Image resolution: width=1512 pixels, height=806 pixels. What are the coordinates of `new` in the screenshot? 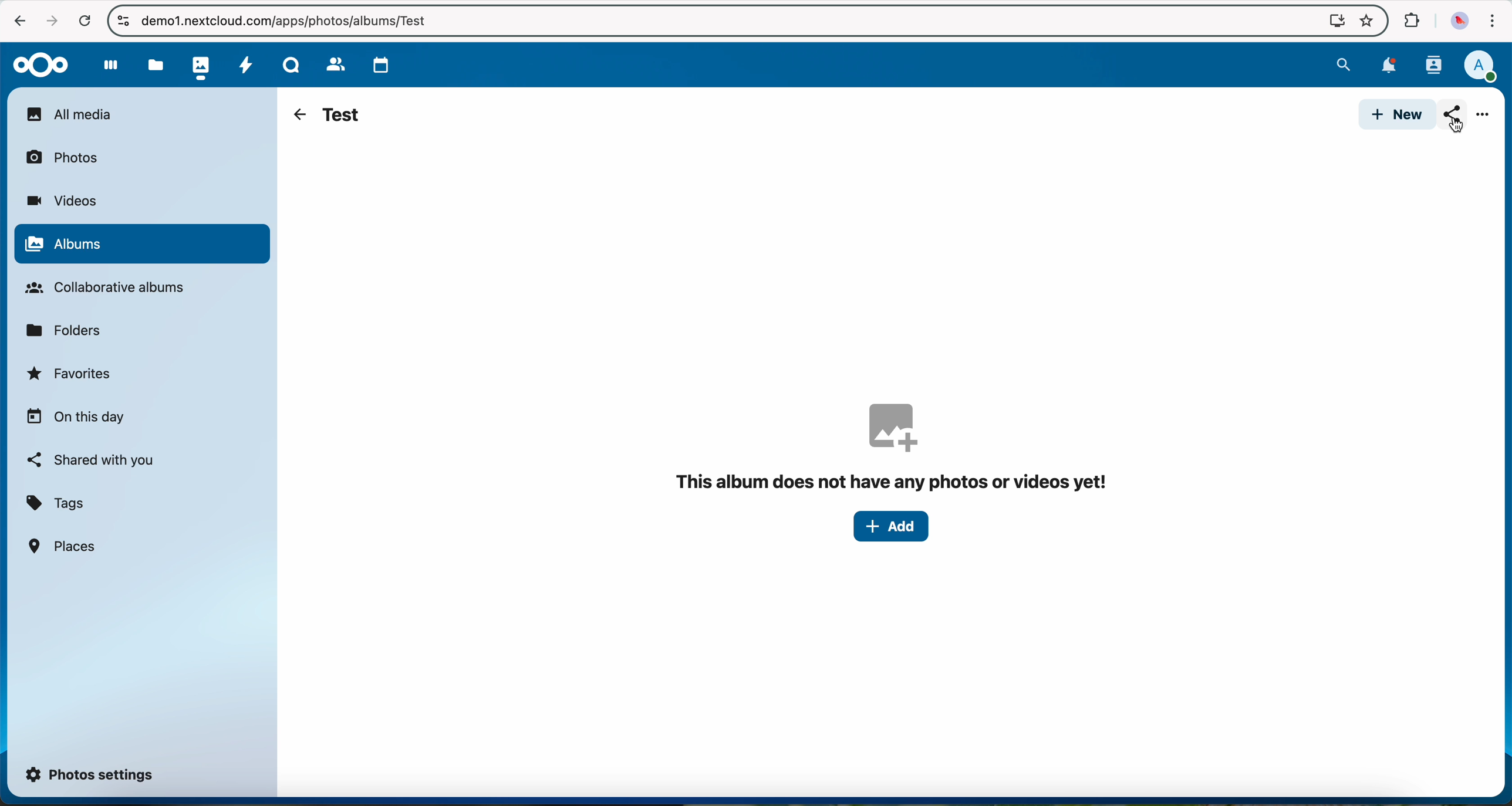 It's located at (1394, 115).